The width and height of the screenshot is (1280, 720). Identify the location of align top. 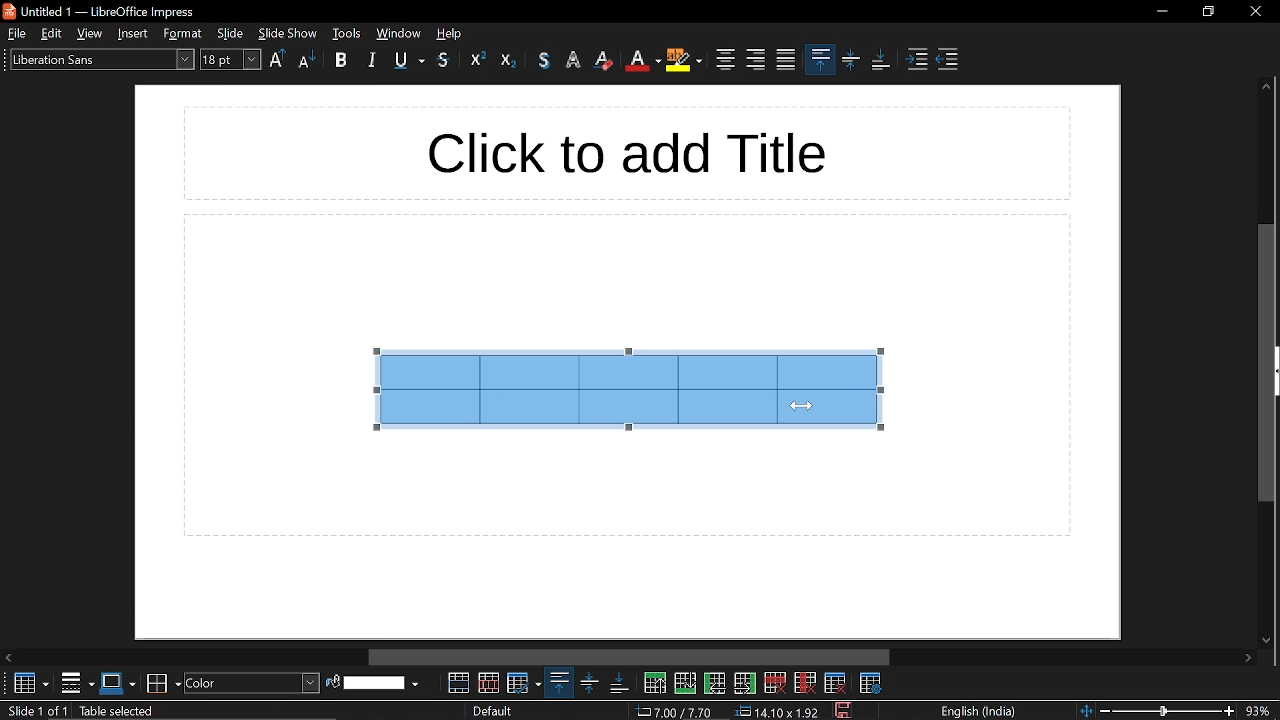
(821, 59).